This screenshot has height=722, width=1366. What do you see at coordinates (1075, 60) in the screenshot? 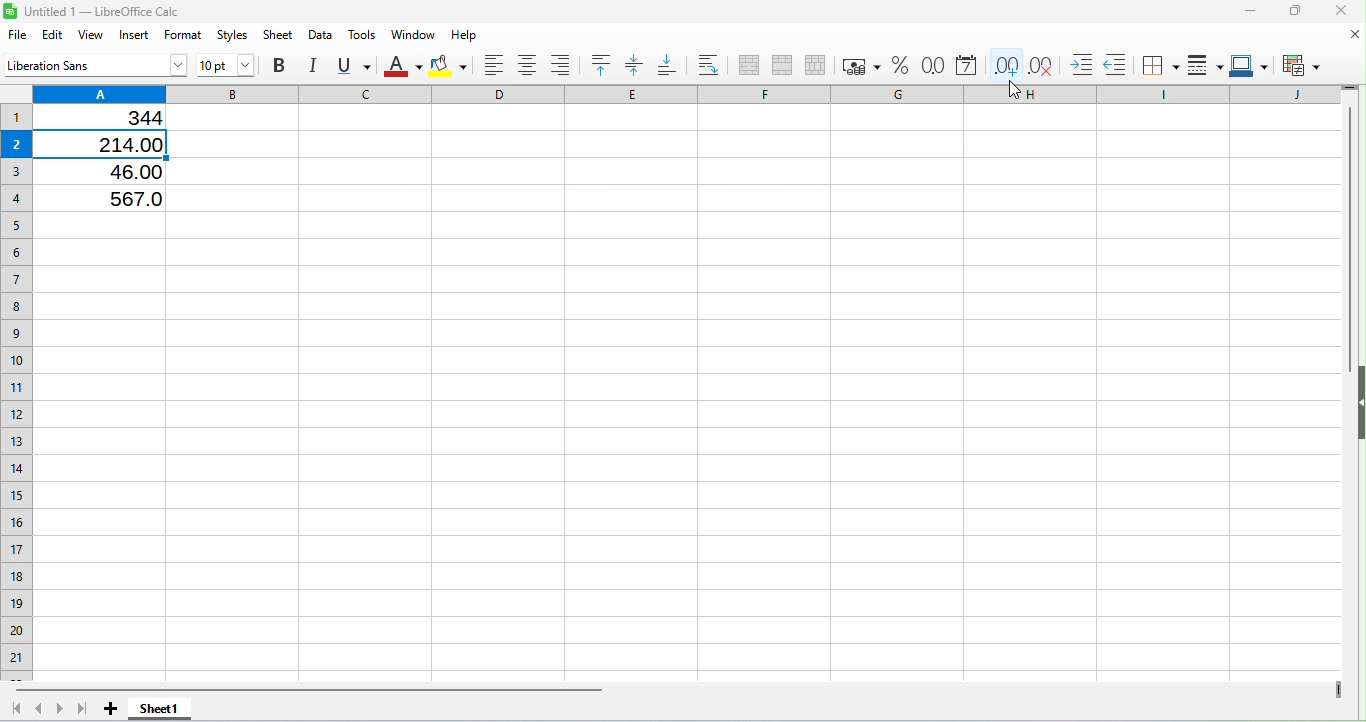
I see `Increase indent` at bounding box center [1075, 60].